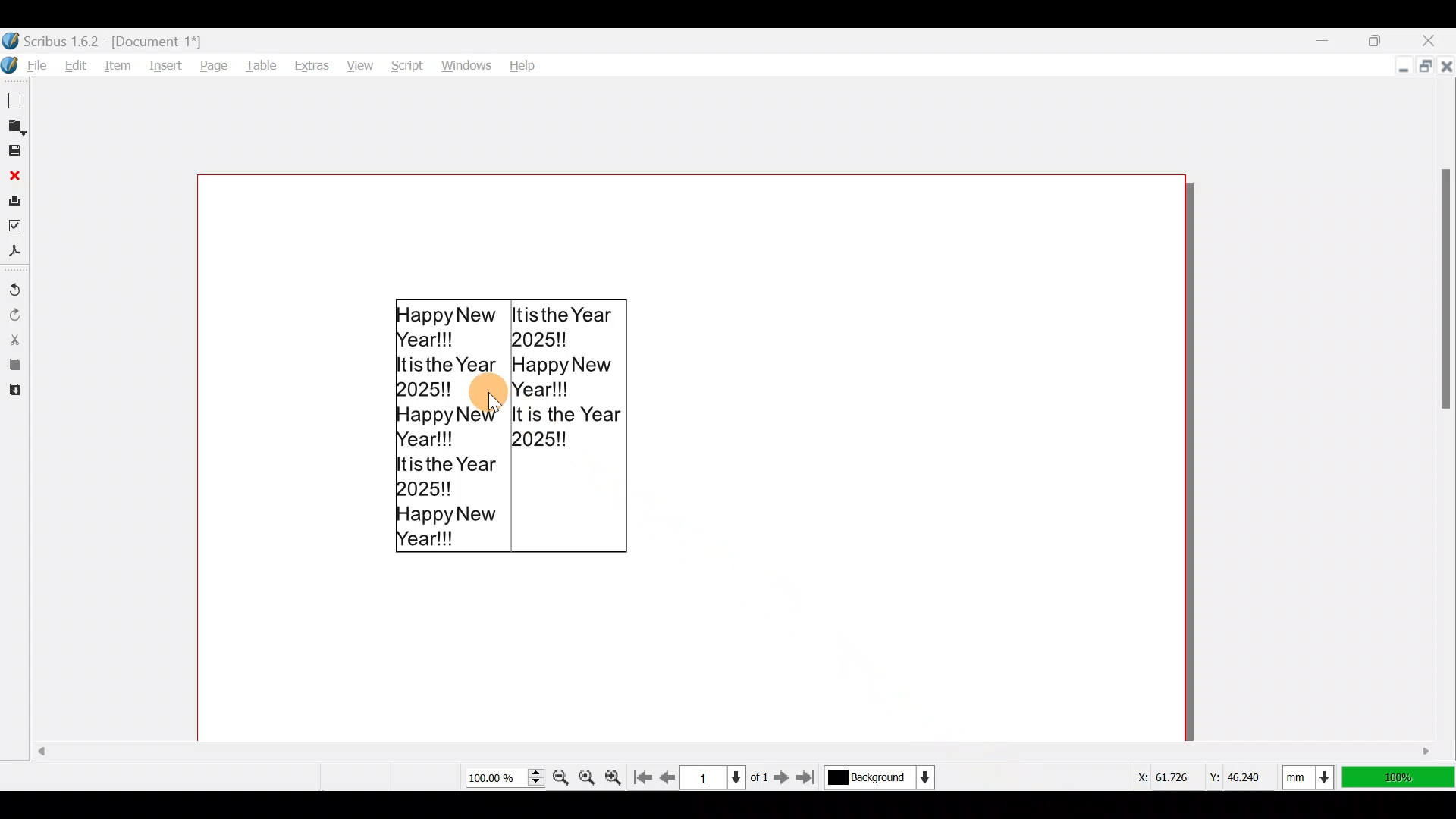 This screenshot has width=1456, height=819. I want to click on Current zoom level, so click(504, 778).